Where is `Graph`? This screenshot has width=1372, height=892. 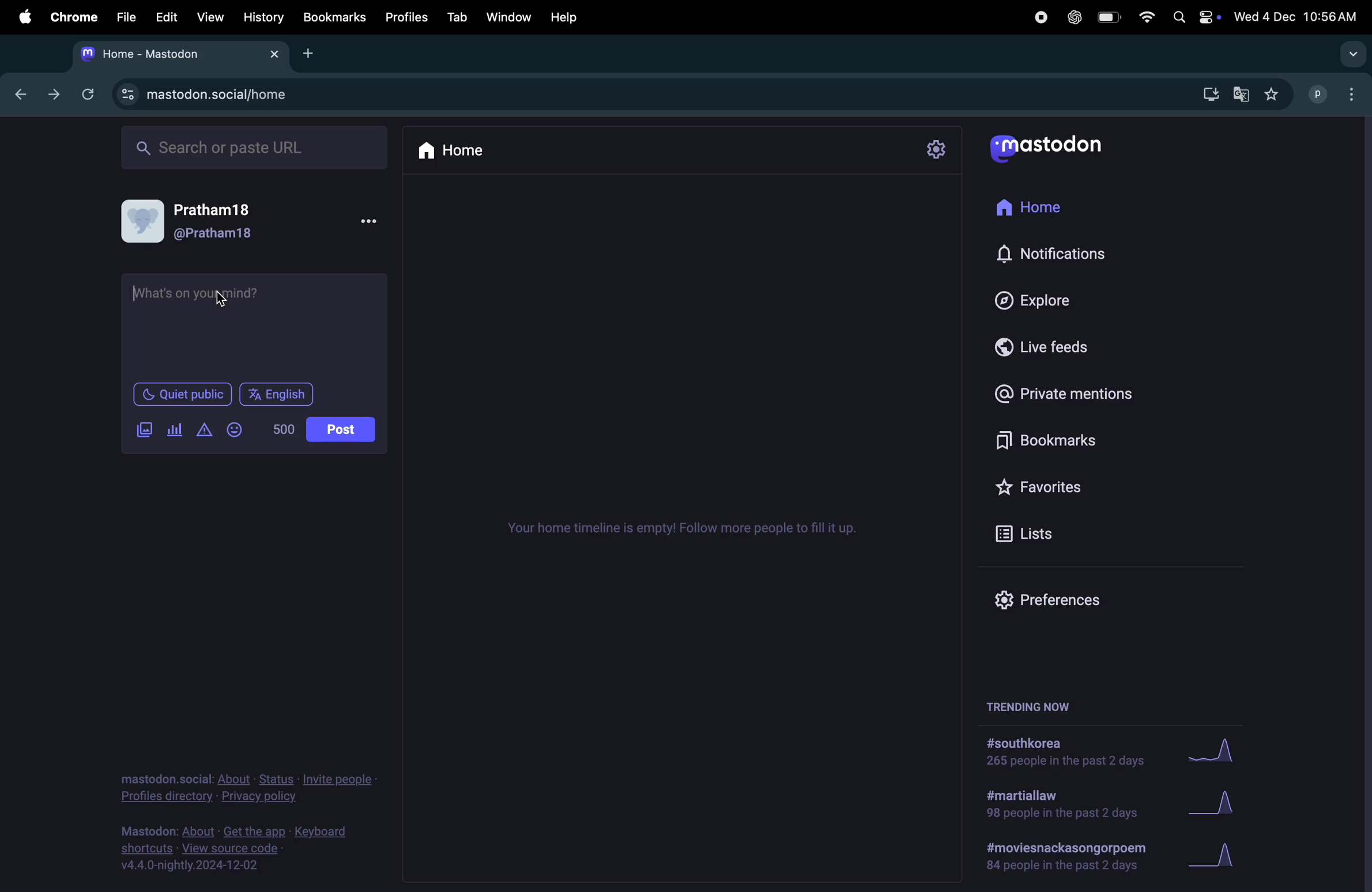 Graph is located at coordinates (1225, 857).